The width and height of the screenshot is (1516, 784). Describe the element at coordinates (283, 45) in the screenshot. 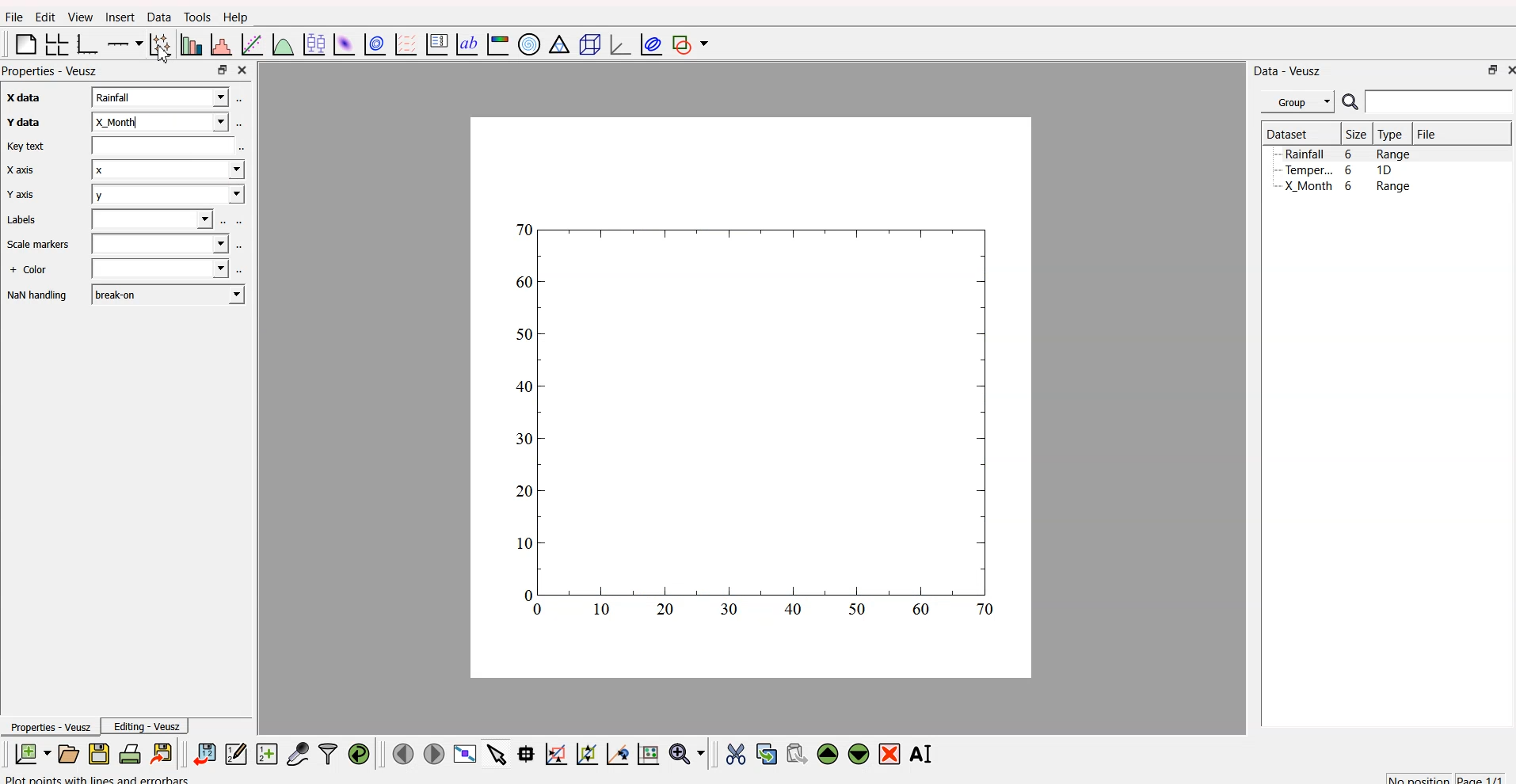

I see `plot function` at that location.